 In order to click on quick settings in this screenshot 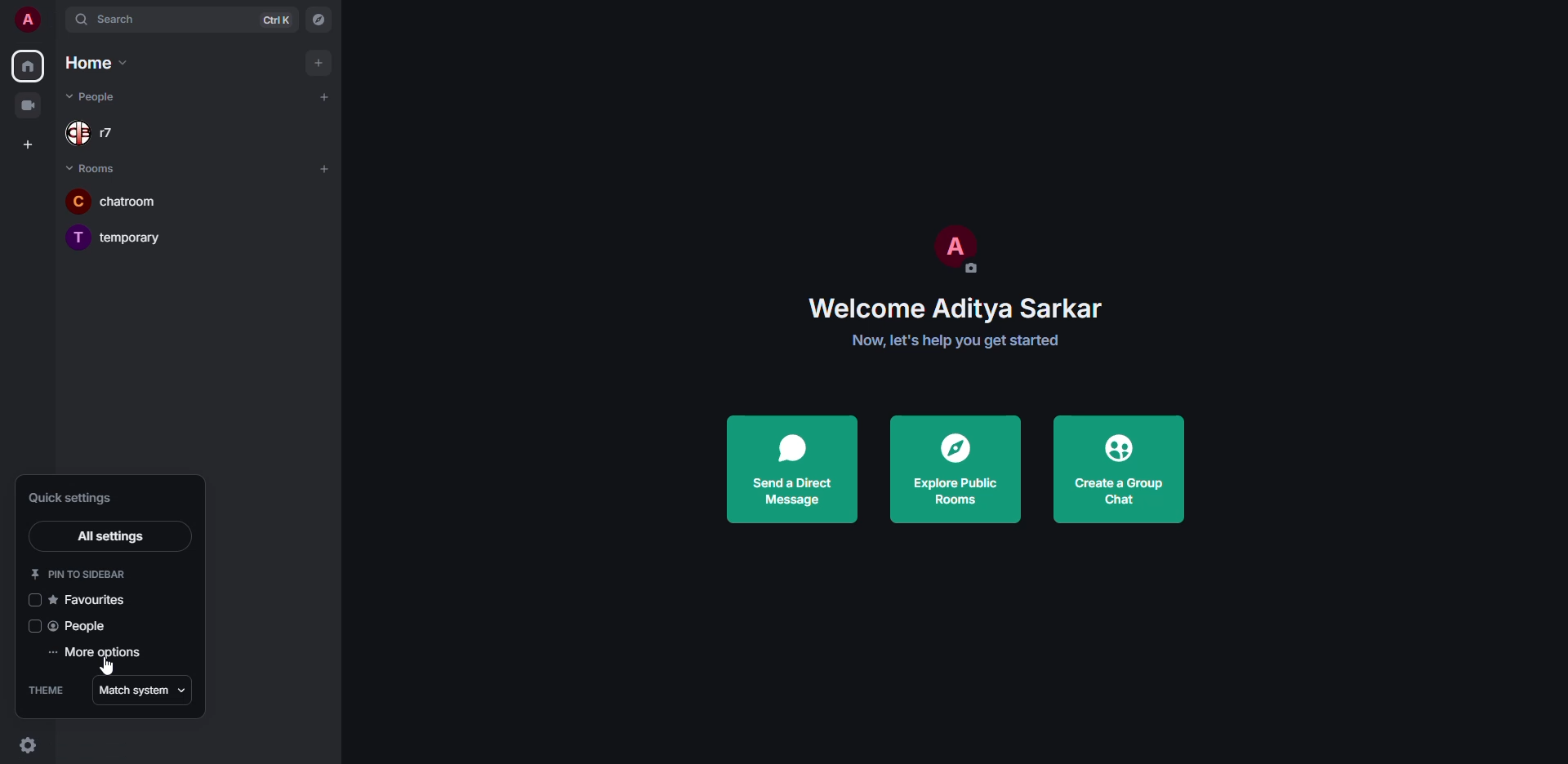, I will do `click(69, 497)`.